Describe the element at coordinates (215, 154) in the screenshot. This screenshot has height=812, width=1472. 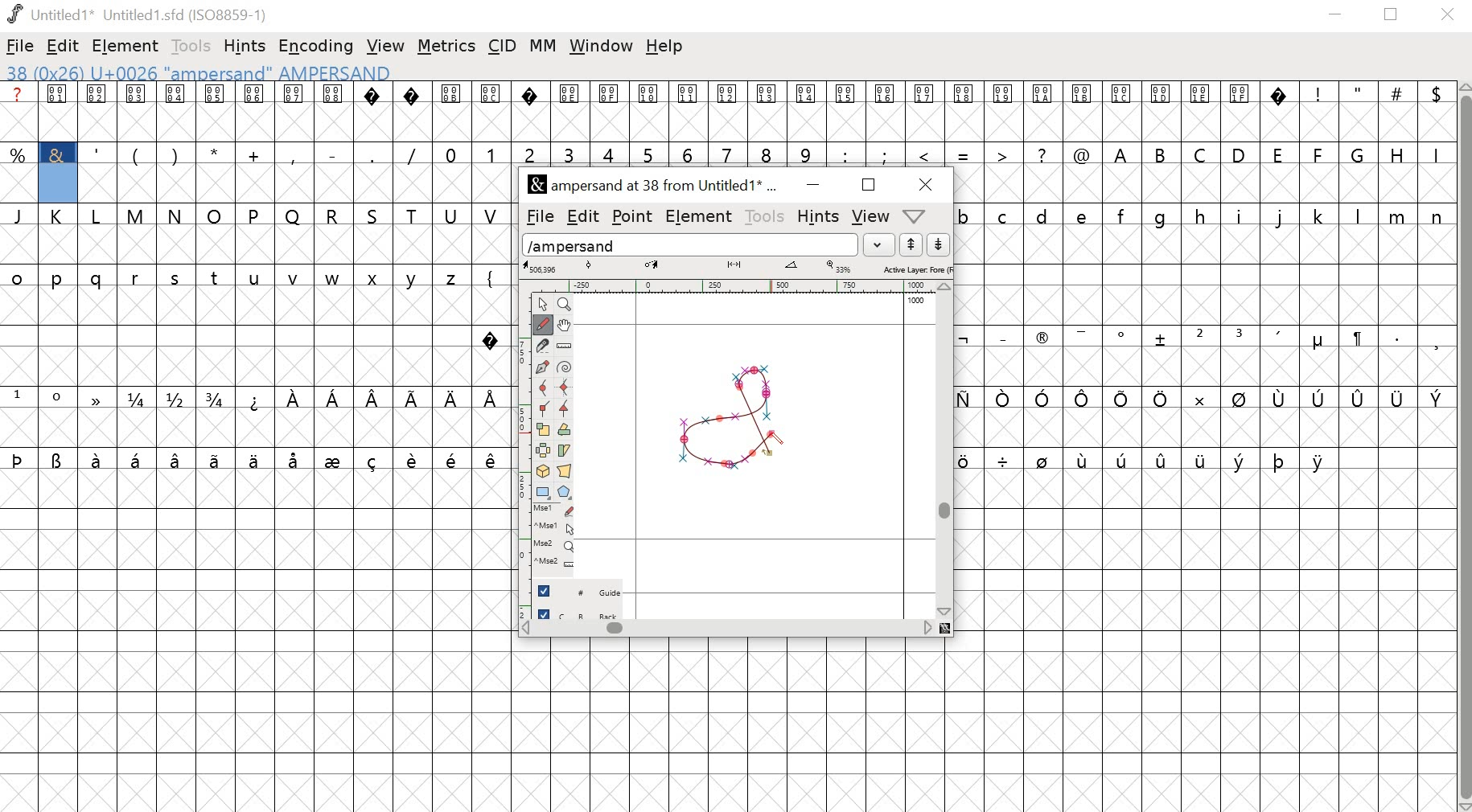
I see `*` at that location.